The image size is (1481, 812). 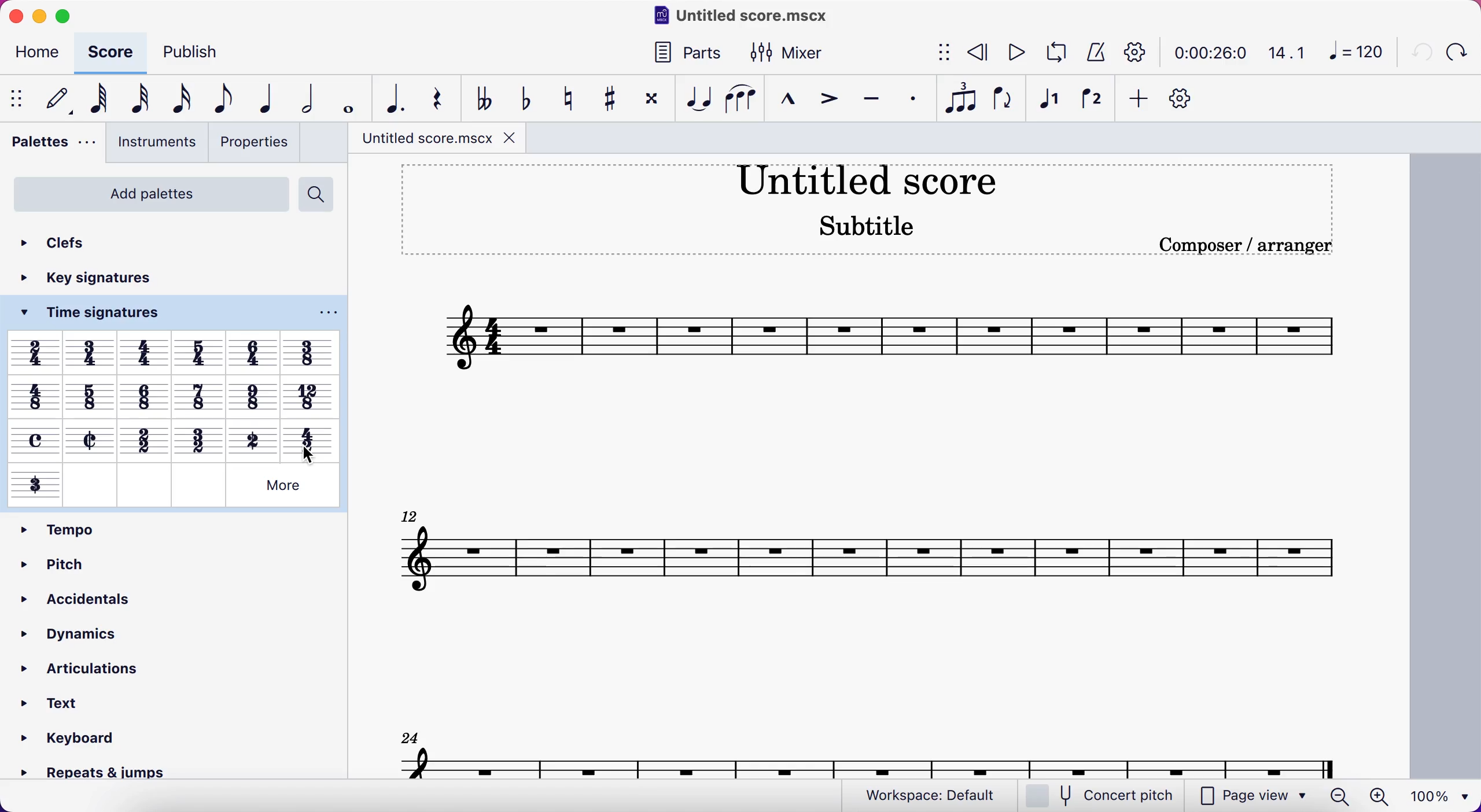 I want to click on home, so click(x=32, y=55).